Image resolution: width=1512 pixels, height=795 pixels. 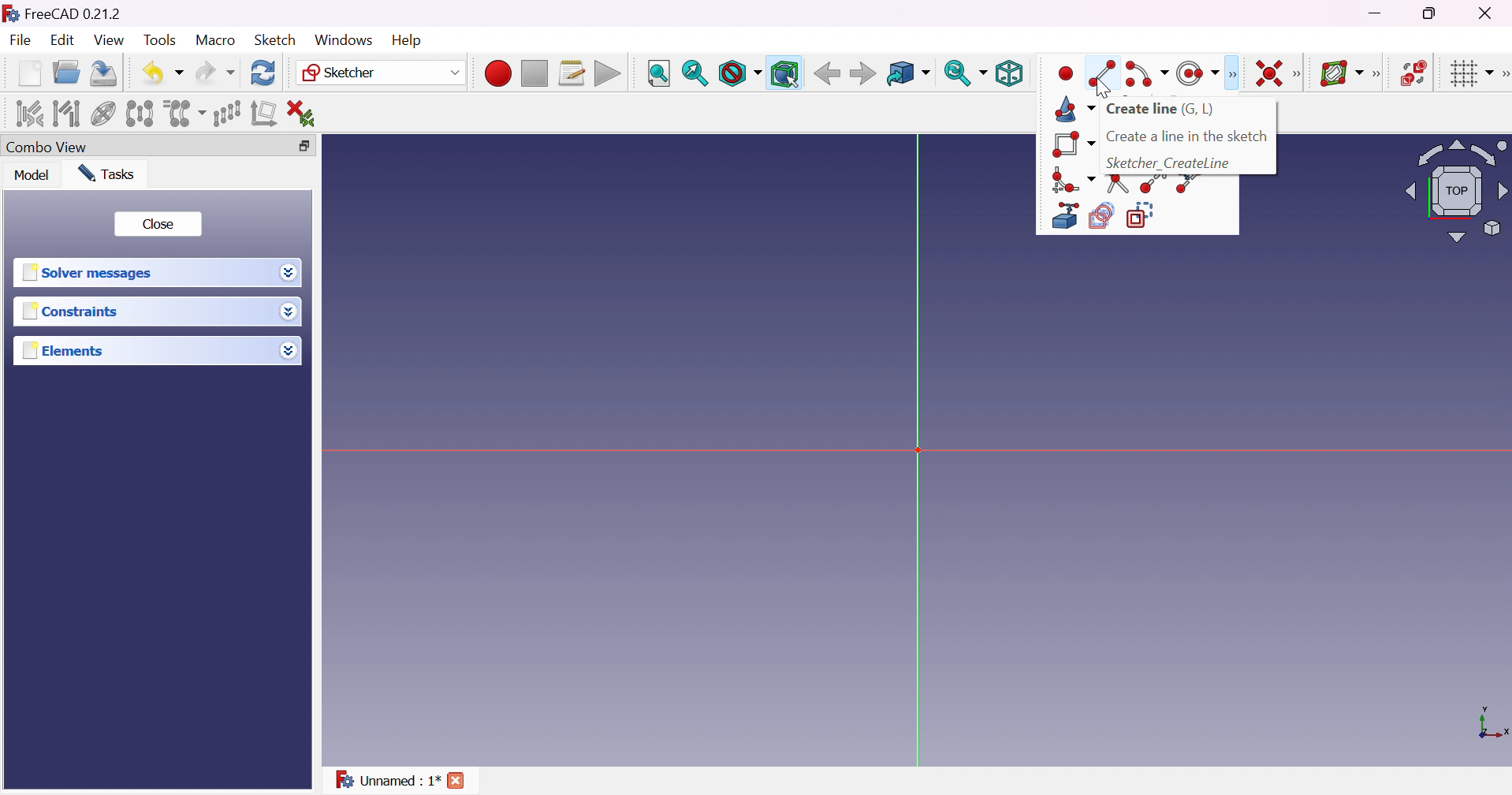 What do you see at coordinates (1169, 162) in the screenshot?
I see `Sketcher_CreateLine` at bounding box center [1169, 162].